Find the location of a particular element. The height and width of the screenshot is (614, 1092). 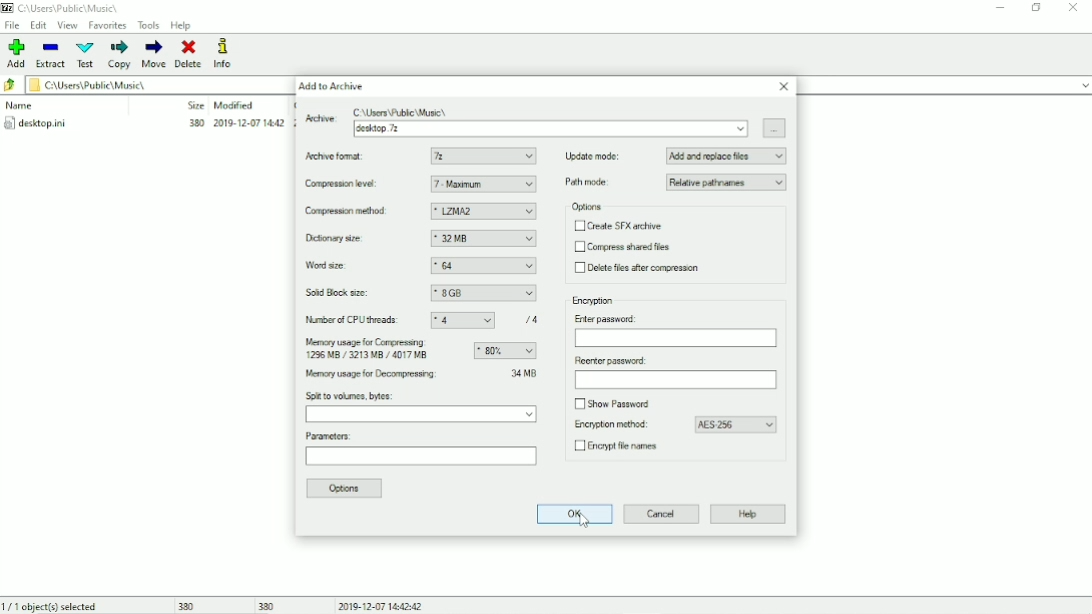

Help is located at coordinates (182, 25).